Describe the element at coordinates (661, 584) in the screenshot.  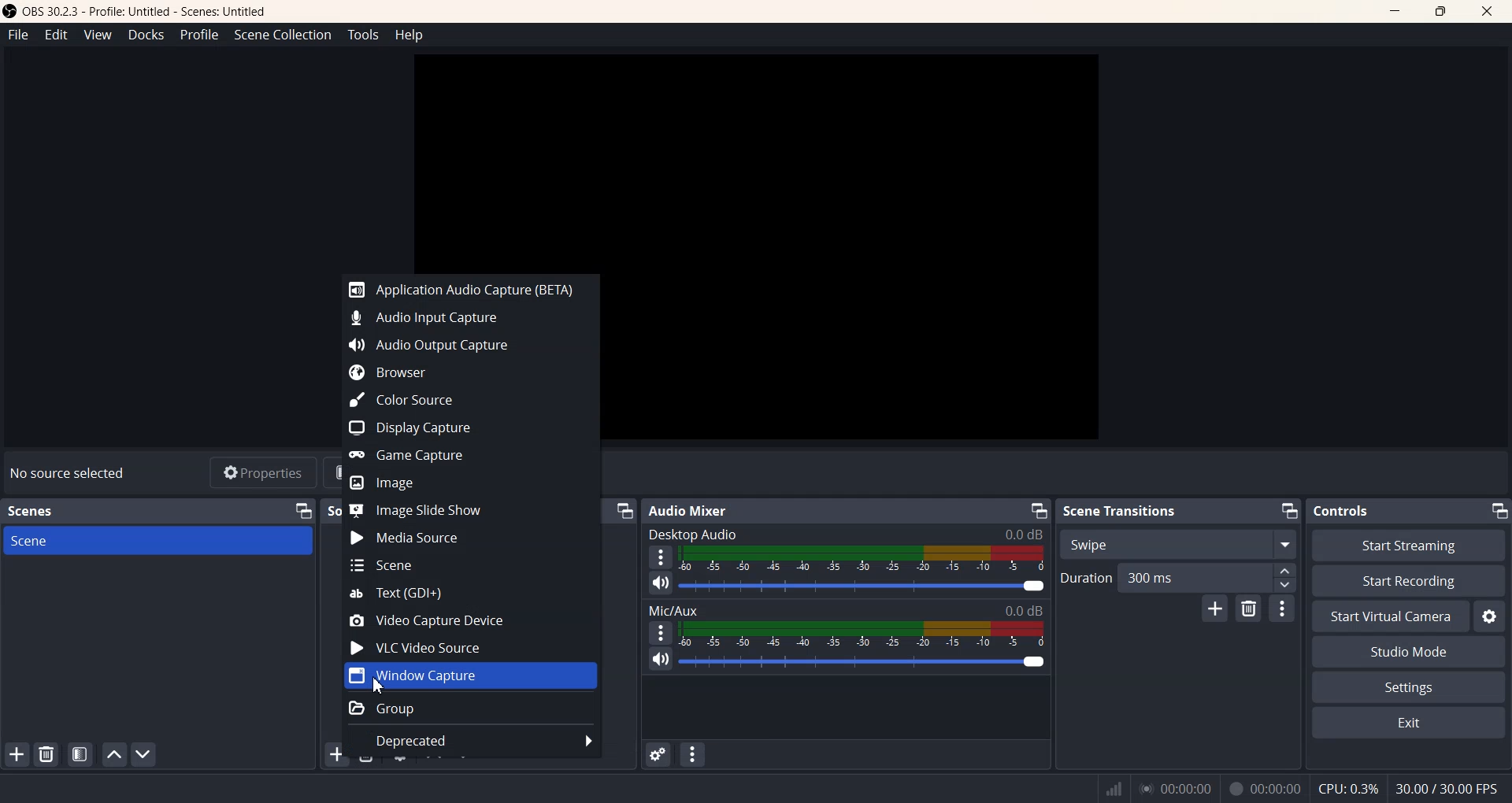
I see `Mute/ Unmute` at that location.